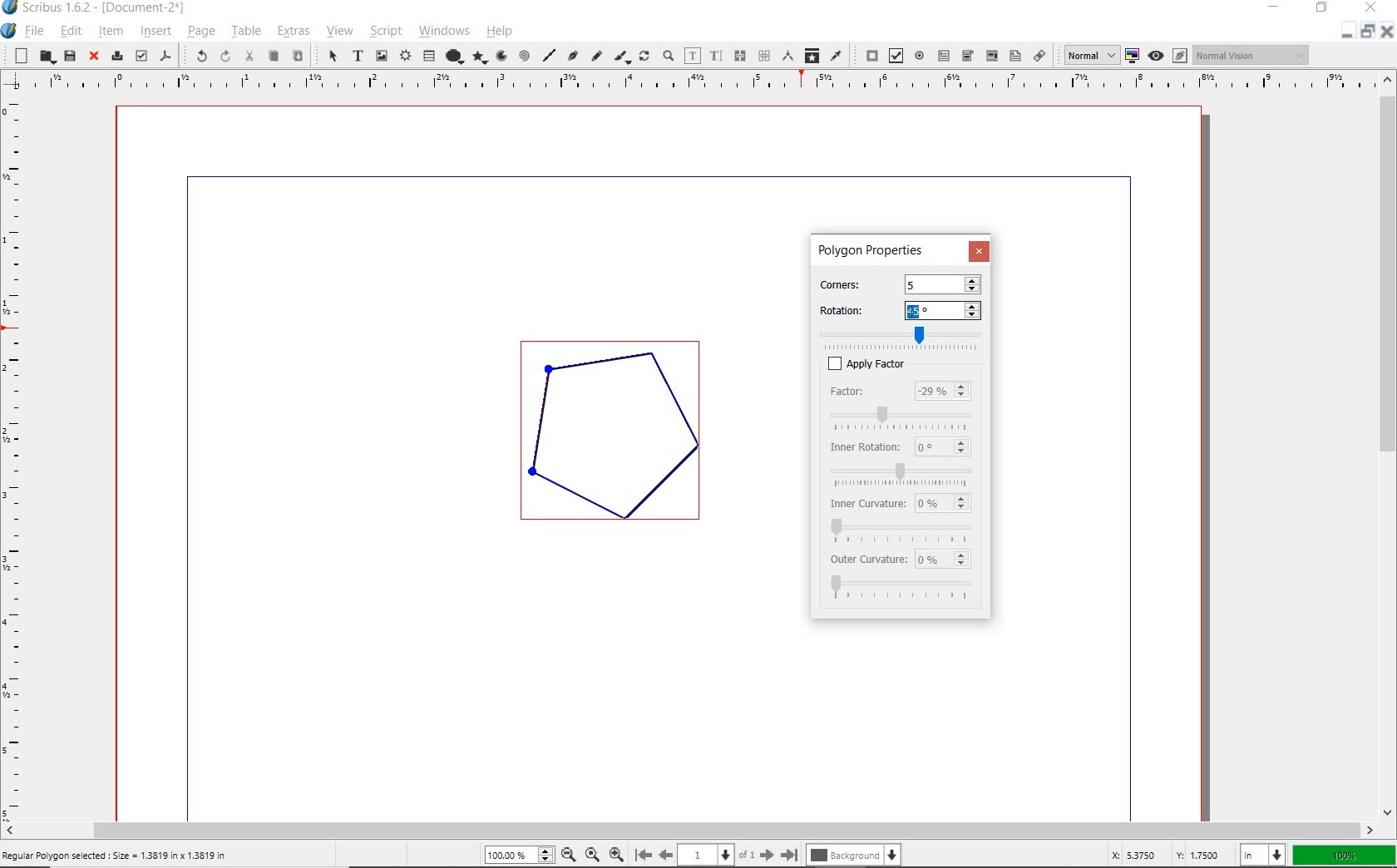 The height and width of the screenshot is (868, 1397). What do you see at coordinates (1261, 854) in the screenshot?
I see `select unit` at bounding box center [1261, 854].